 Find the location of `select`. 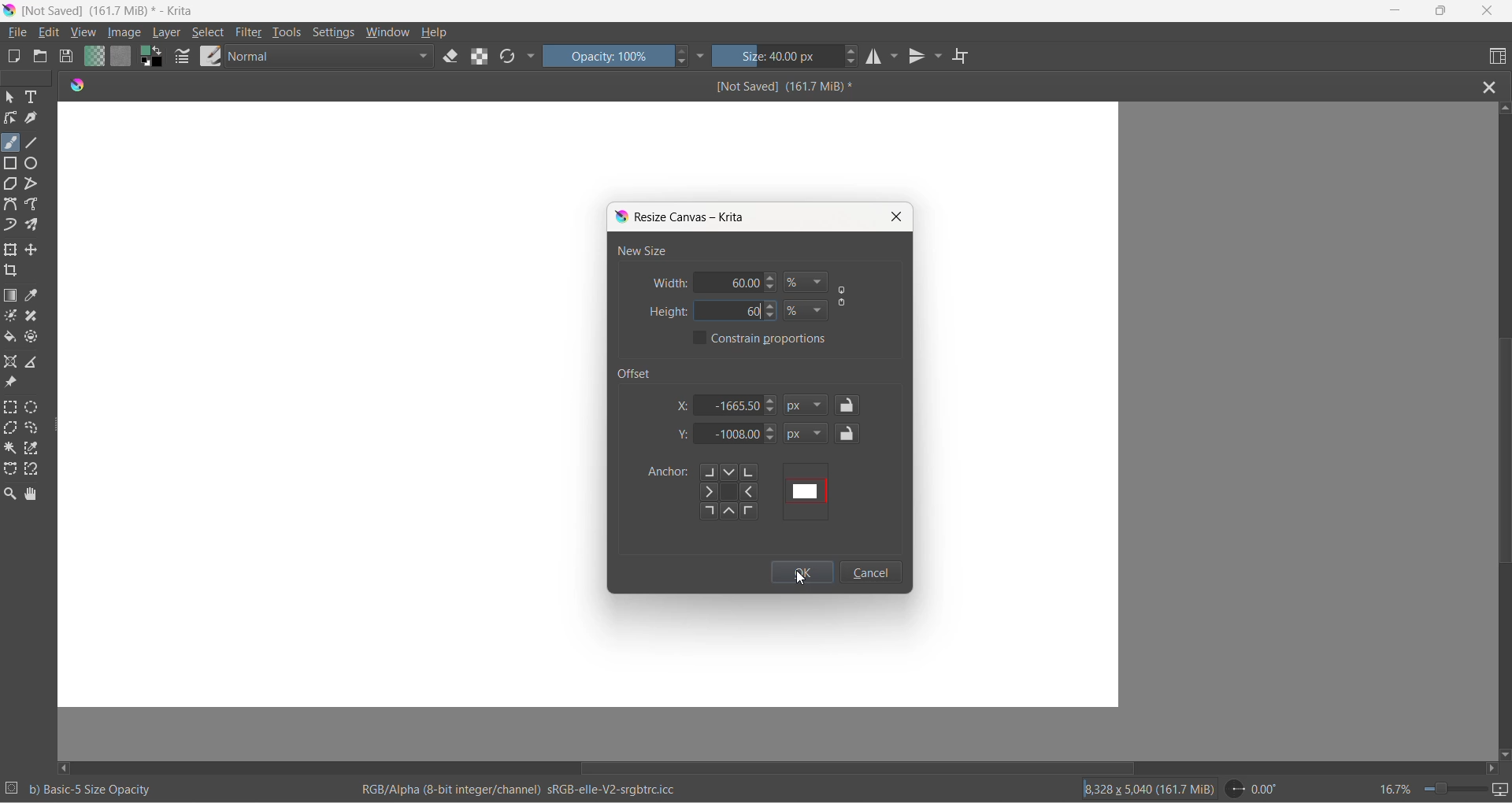

select is located at coordinates (209, 35).